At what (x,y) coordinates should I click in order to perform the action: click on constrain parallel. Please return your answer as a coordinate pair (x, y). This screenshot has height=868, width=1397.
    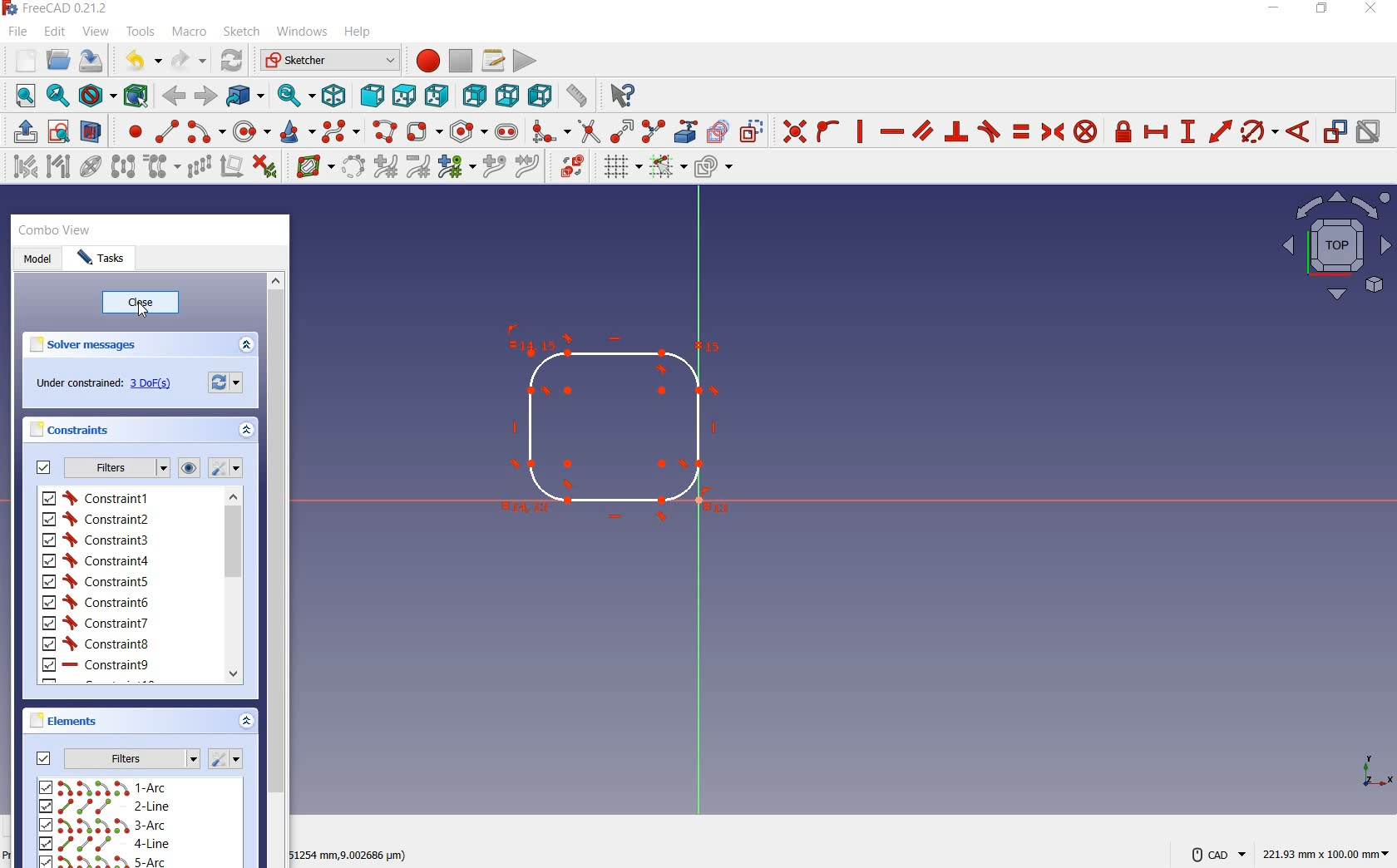
    Looking at the image, I should click on (924, 132).